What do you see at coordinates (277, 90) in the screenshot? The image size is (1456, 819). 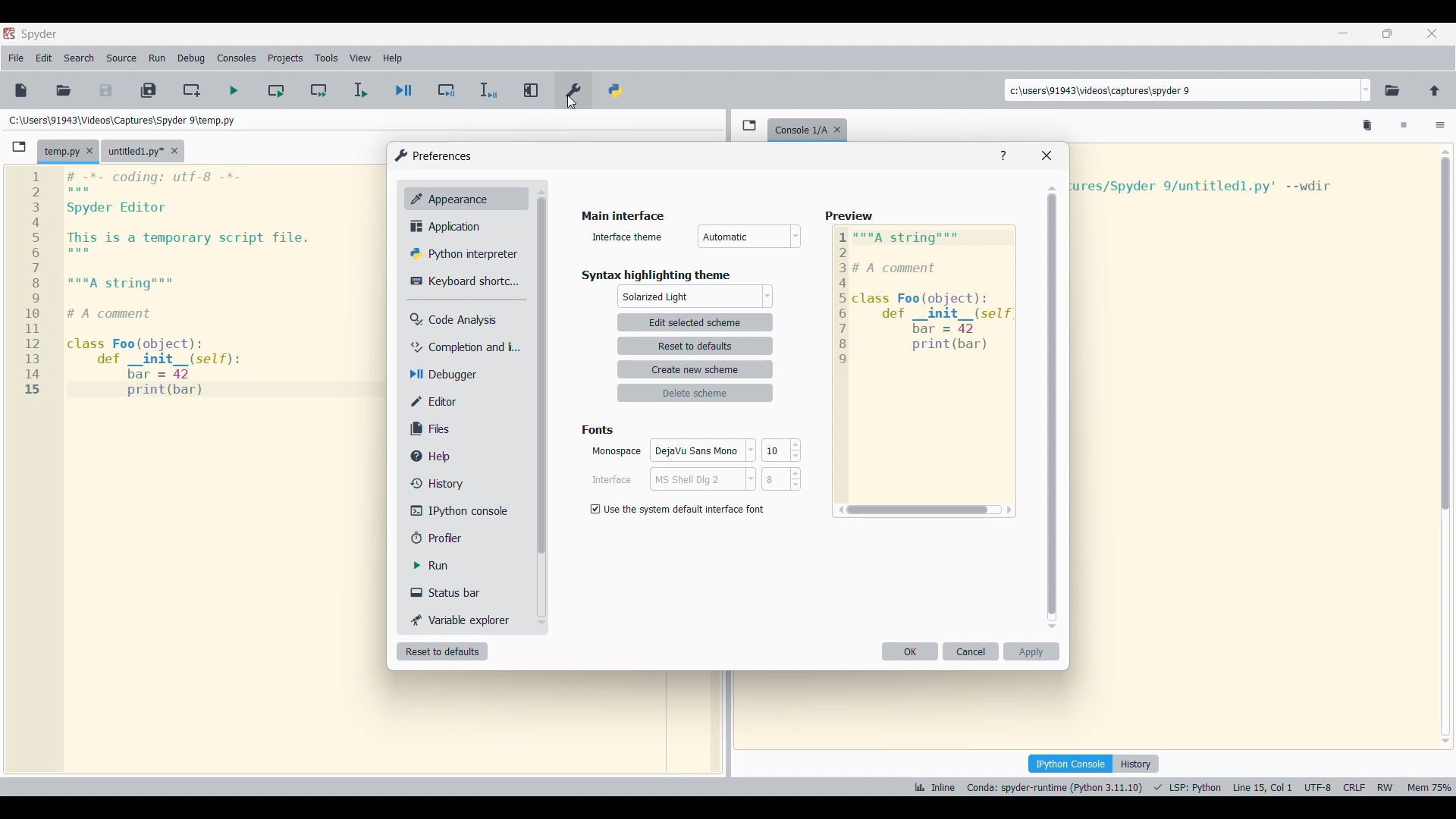 I see `Run current cell` at bounding box center [277, 90].